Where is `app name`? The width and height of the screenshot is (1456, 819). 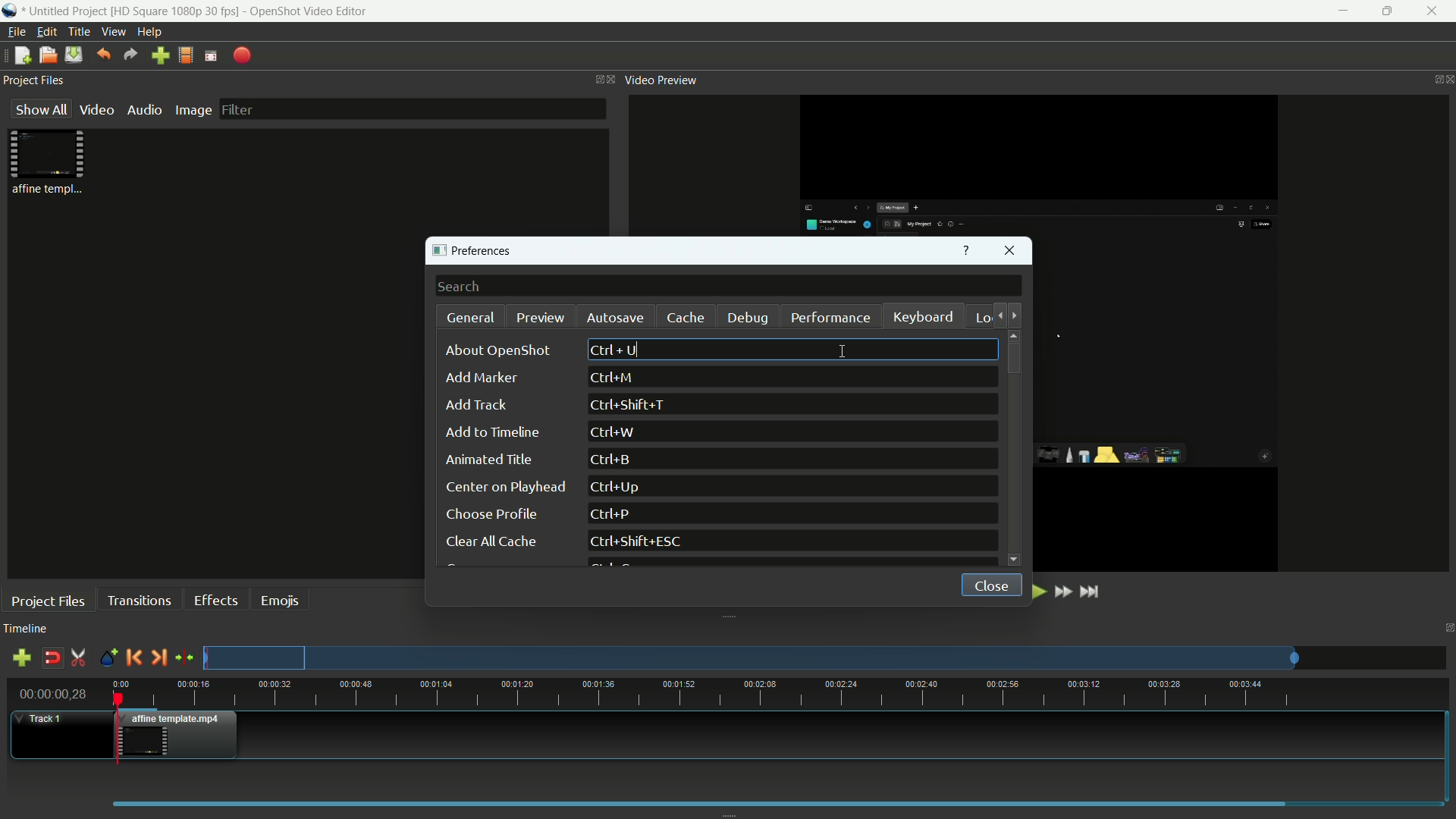 app name is located at coordinates (308, 11).